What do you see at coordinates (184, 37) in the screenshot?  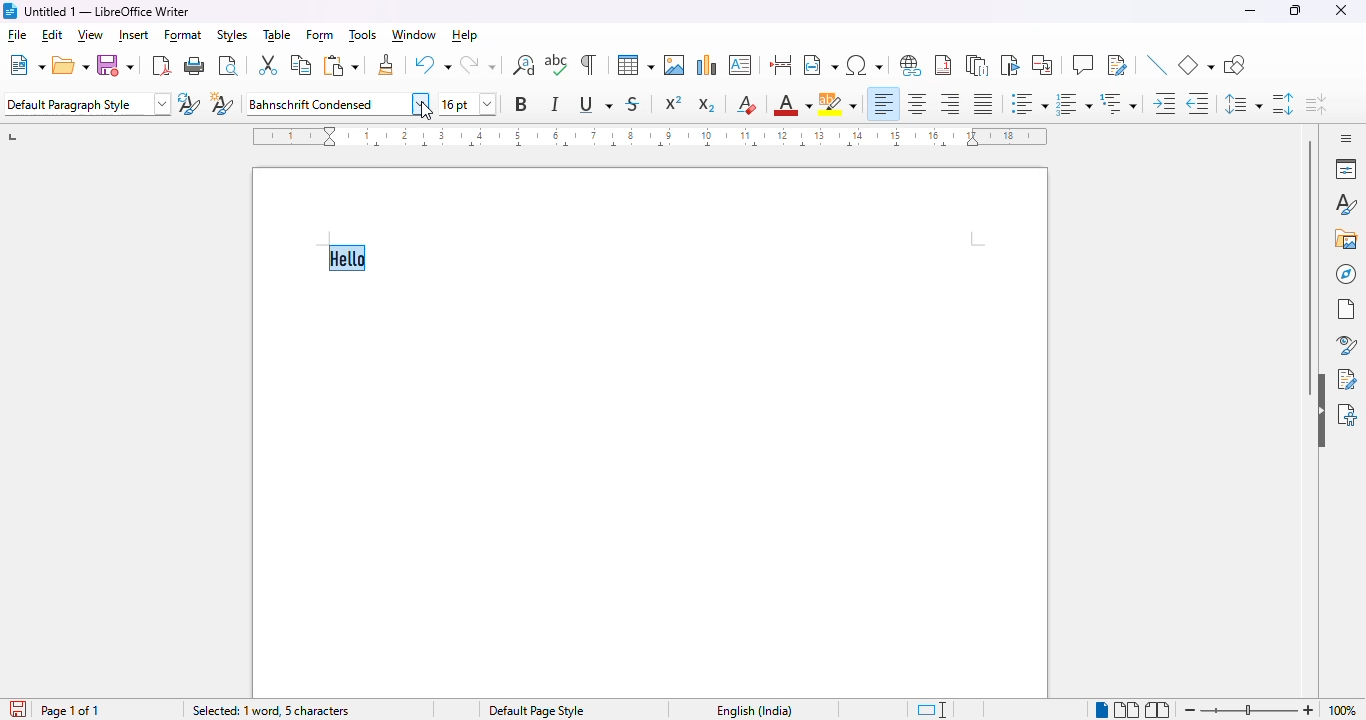 I see `format` at bounding box center [184, 37].